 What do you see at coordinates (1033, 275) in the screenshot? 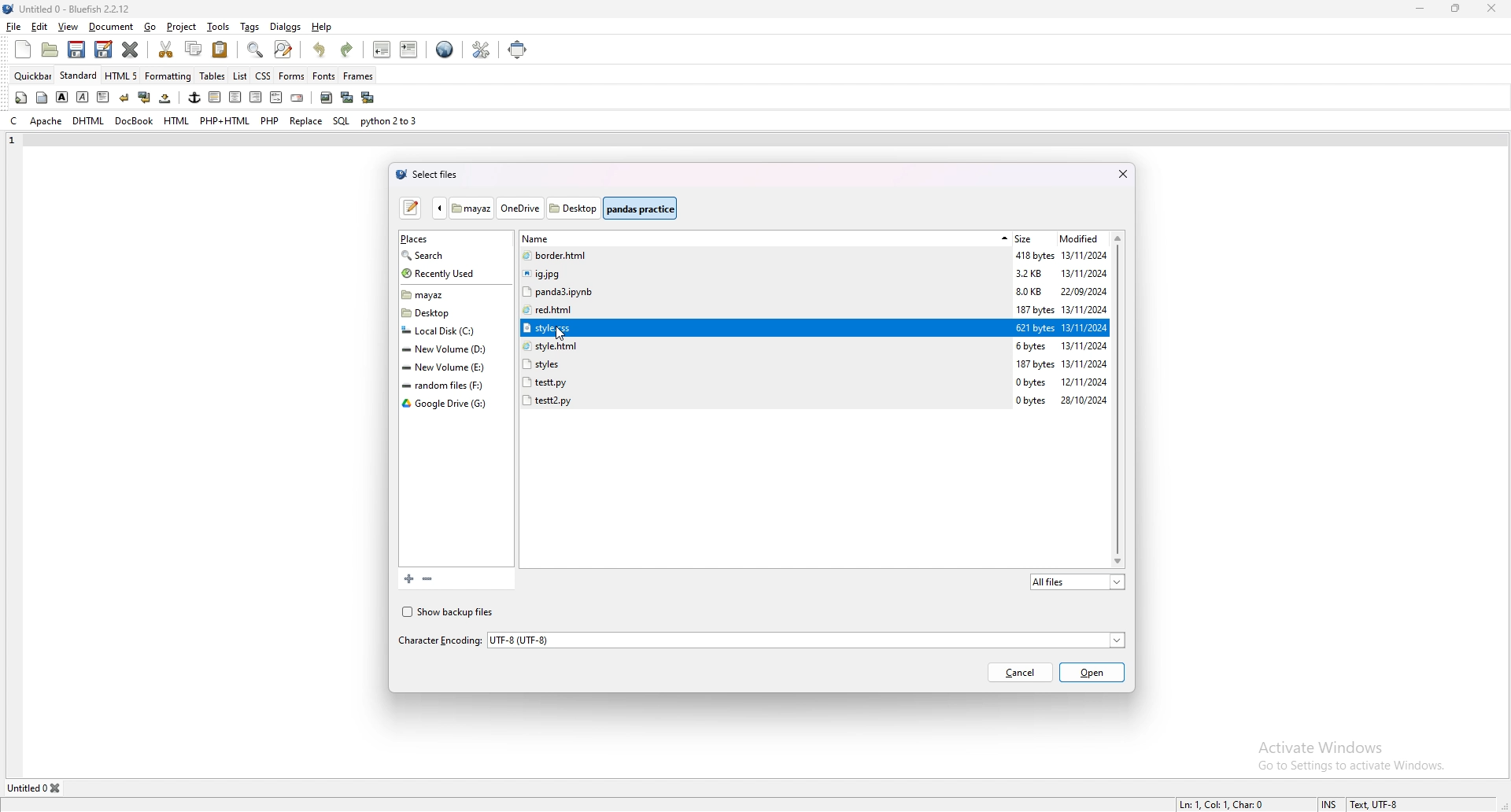
I see `3.2KB` at bounding box center [1033, 275].